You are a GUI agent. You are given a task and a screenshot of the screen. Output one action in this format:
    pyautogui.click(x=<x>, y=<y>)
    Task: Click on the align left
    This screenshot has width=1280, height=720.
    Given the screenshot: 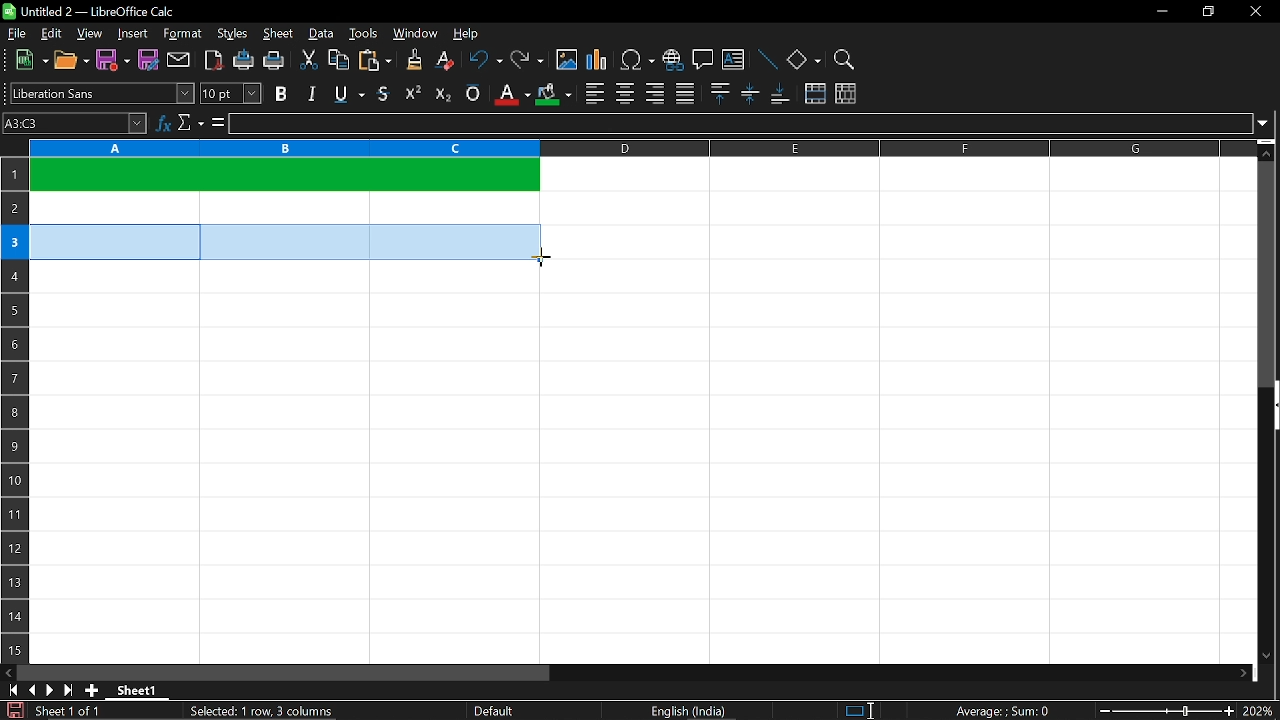 What is the action you would take?
    pyautogui.click(x=594, y=92)
    